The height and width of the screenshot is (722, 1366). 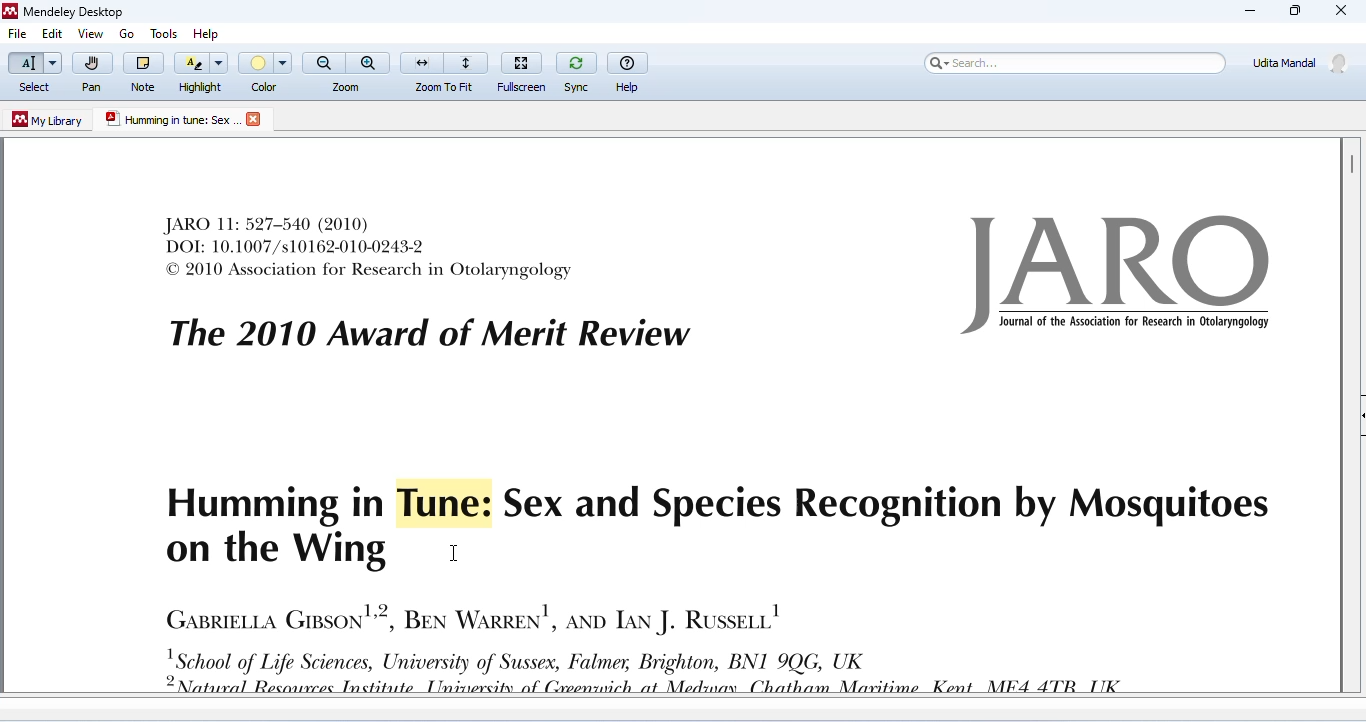 What do you see at coordinates (370, 247) in the screenshot?
I see `JARO 11: 527-540 (2010)
DOI: 10.1007/510162-010-0243-2
© 2010 Association for Research in Otolaryngology` at bounding box center [370, 247].